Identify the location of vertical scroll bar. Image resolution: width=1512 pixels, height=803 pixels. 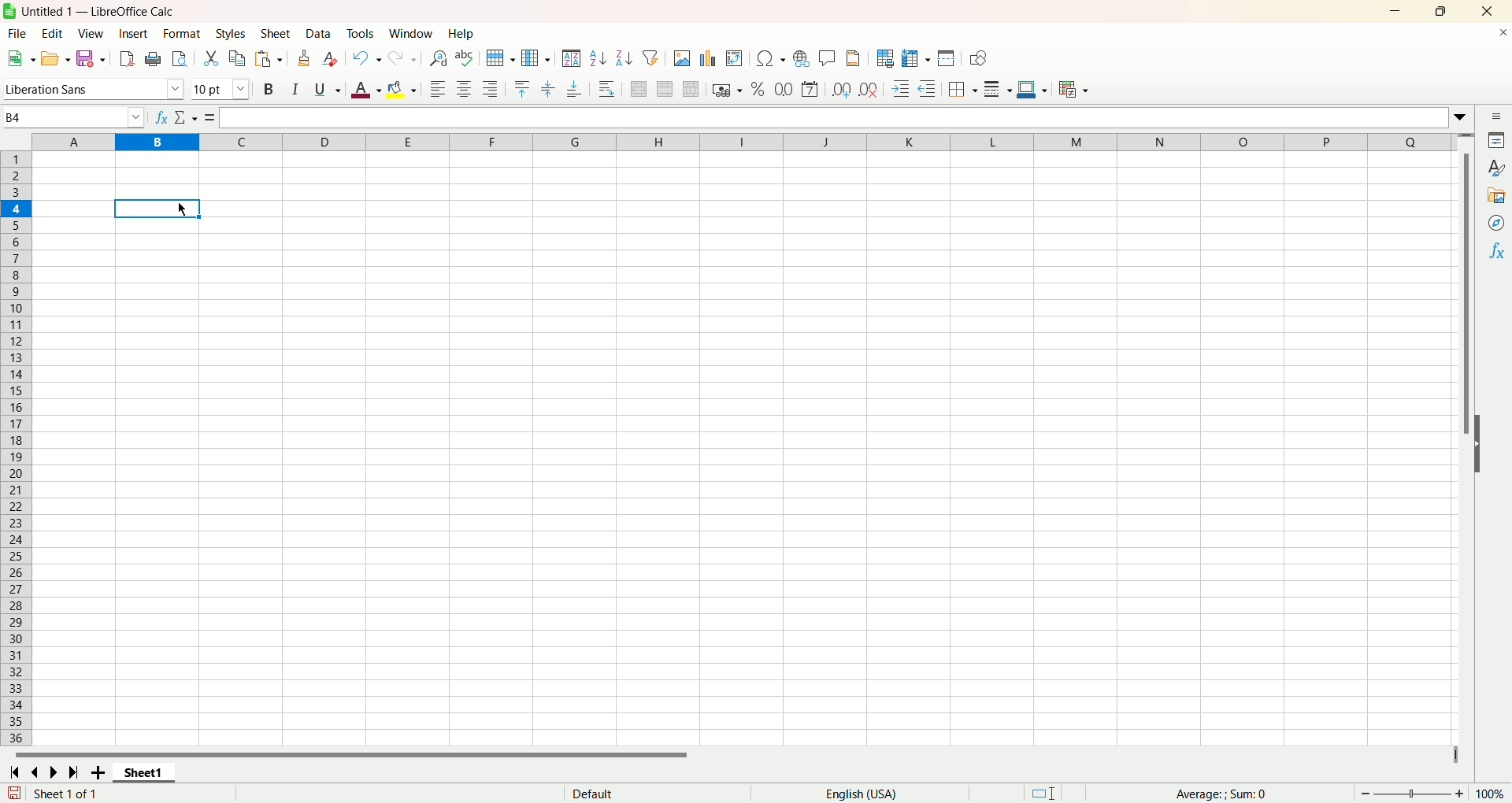
(1469, 439).